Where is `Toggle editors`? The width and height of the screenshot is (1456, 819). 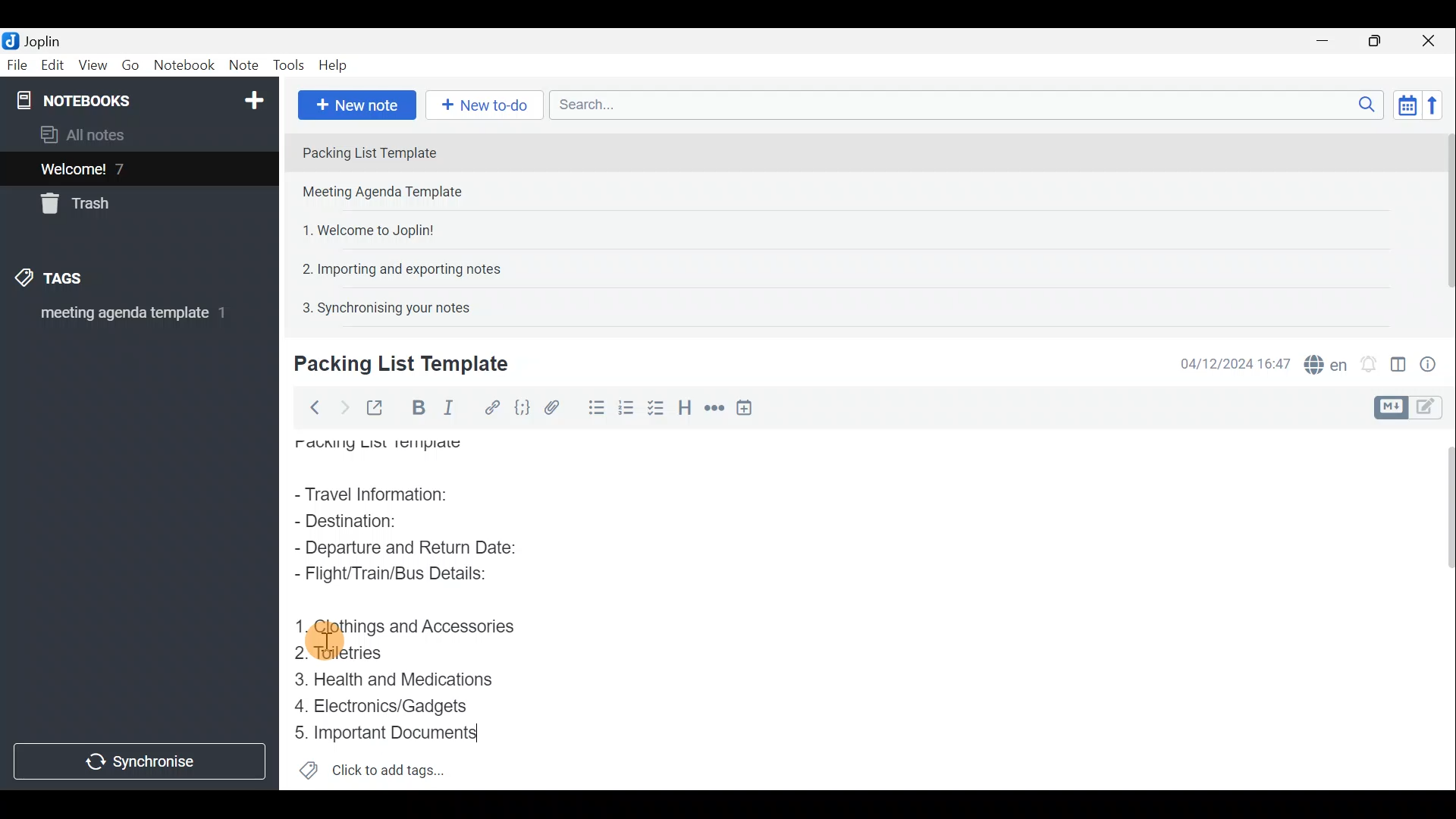
Toggle editors is located at coordinates (1433, 409).